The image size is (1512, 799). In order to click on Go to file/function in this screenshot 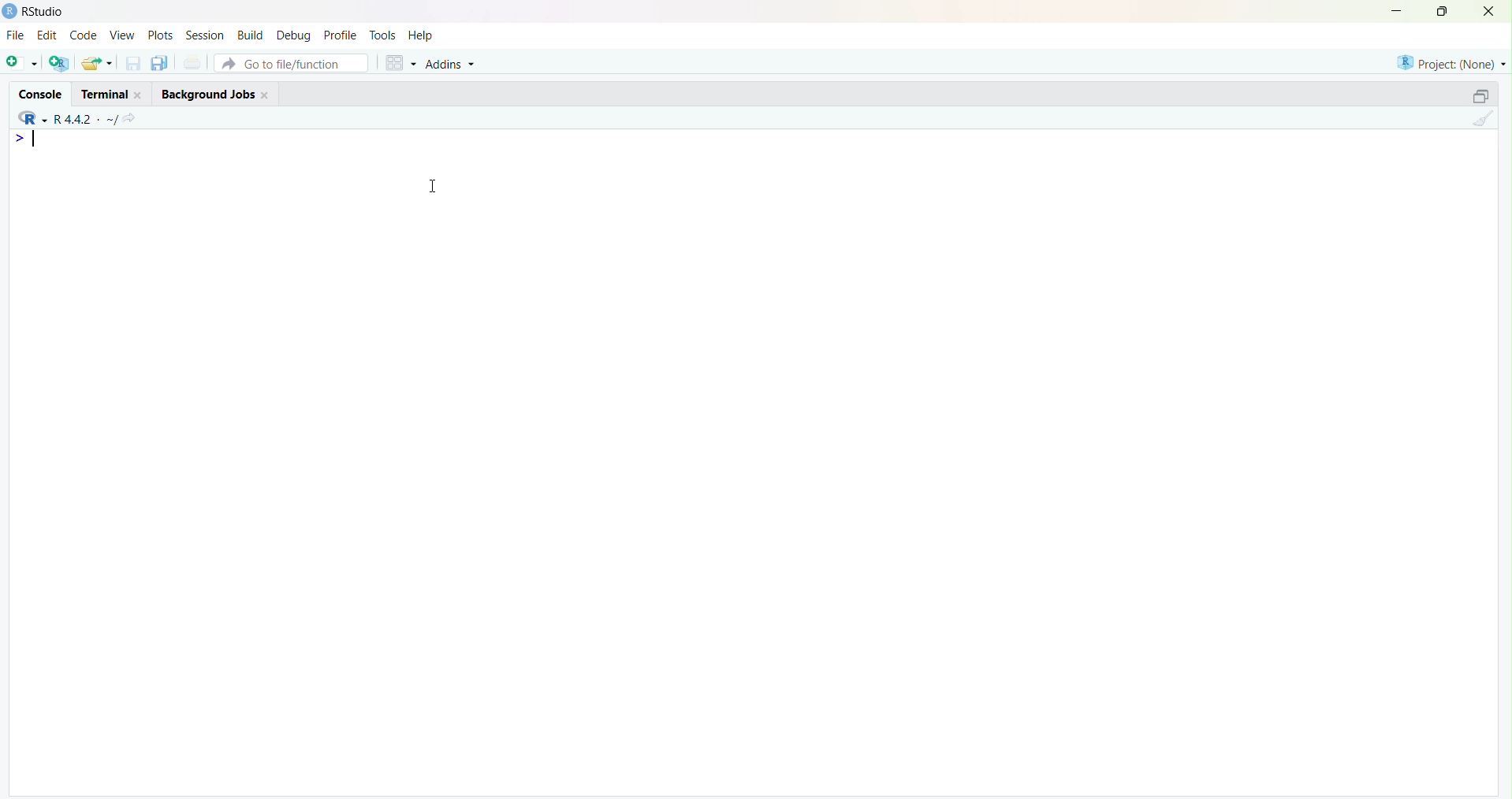, I will do `click(290, 61)`.